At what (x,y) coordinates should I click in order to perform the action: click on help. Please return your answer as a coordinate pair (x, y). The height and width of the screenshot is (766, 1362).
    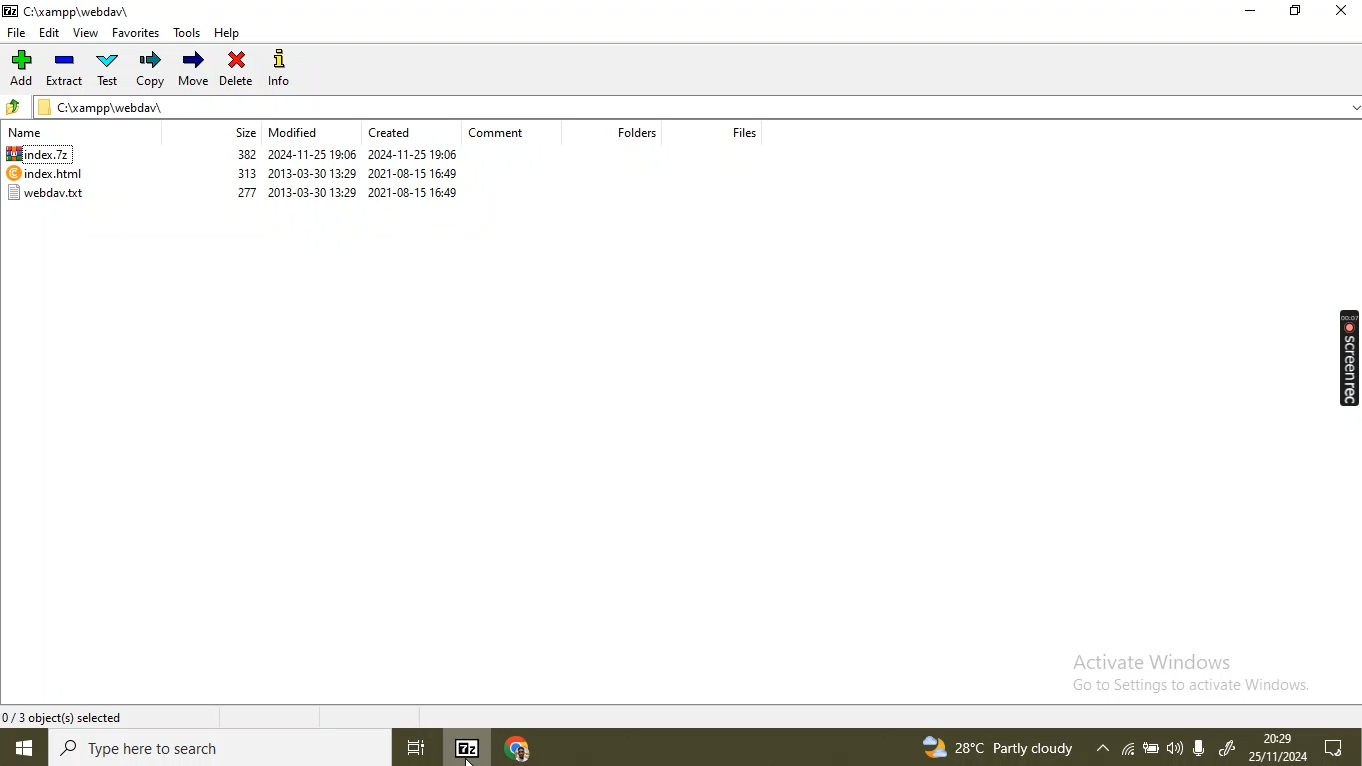
    Looking at the image, I should click on (231, 34).